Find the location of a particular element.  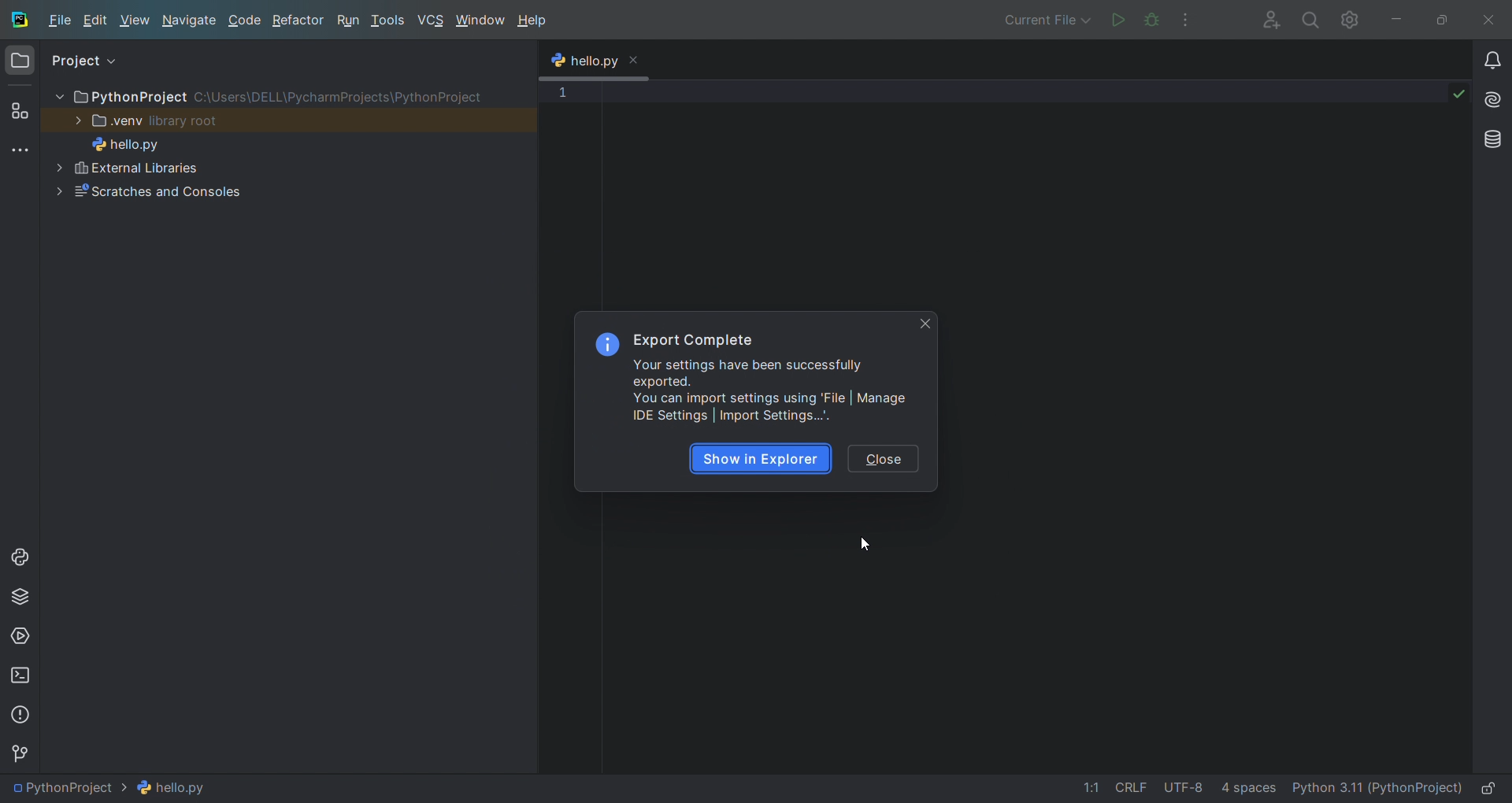

close is located at coordinates (888, 460).